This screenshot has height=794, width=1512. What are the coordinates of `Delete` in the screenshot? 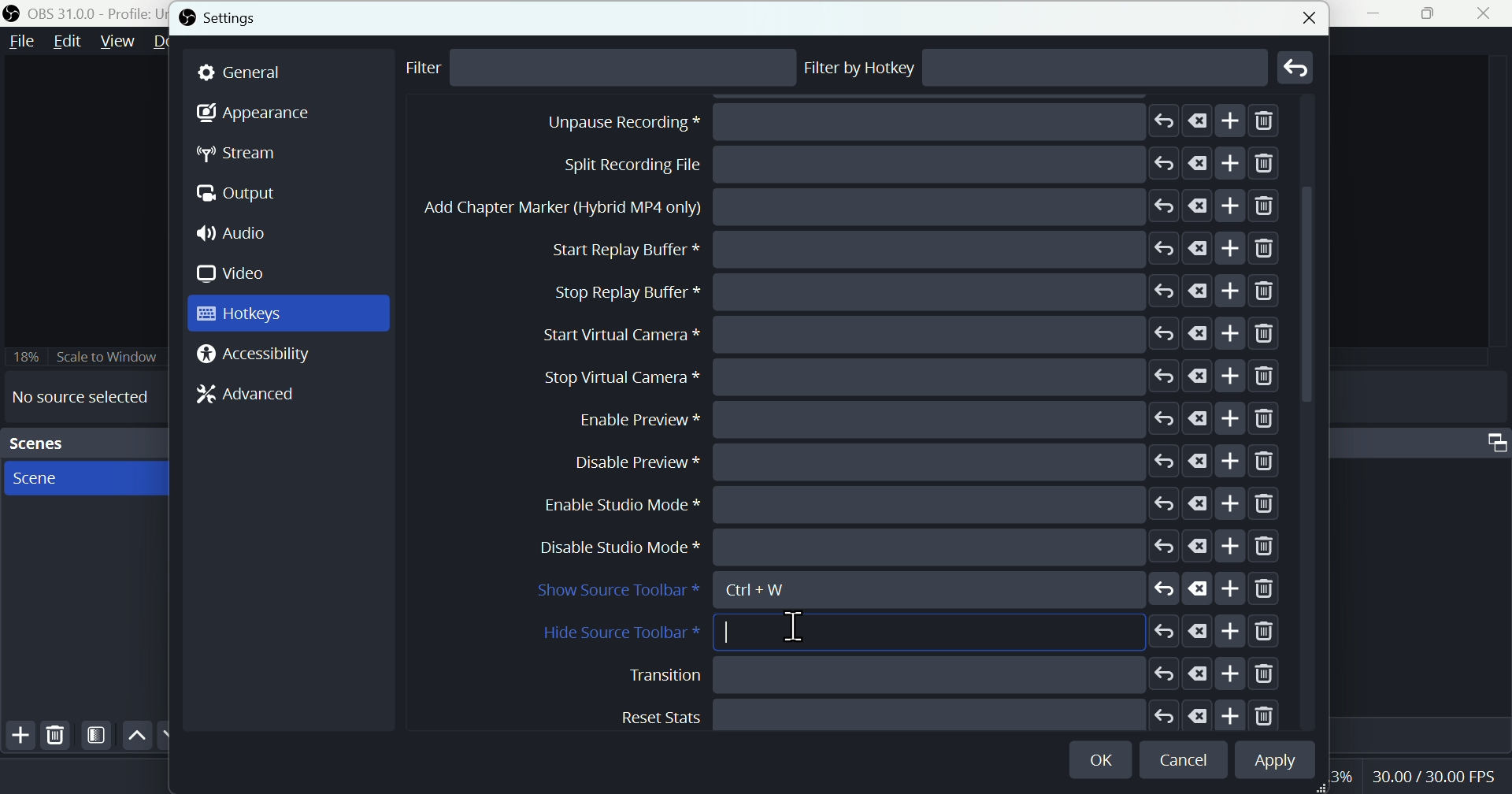 It's located at (56, 735).